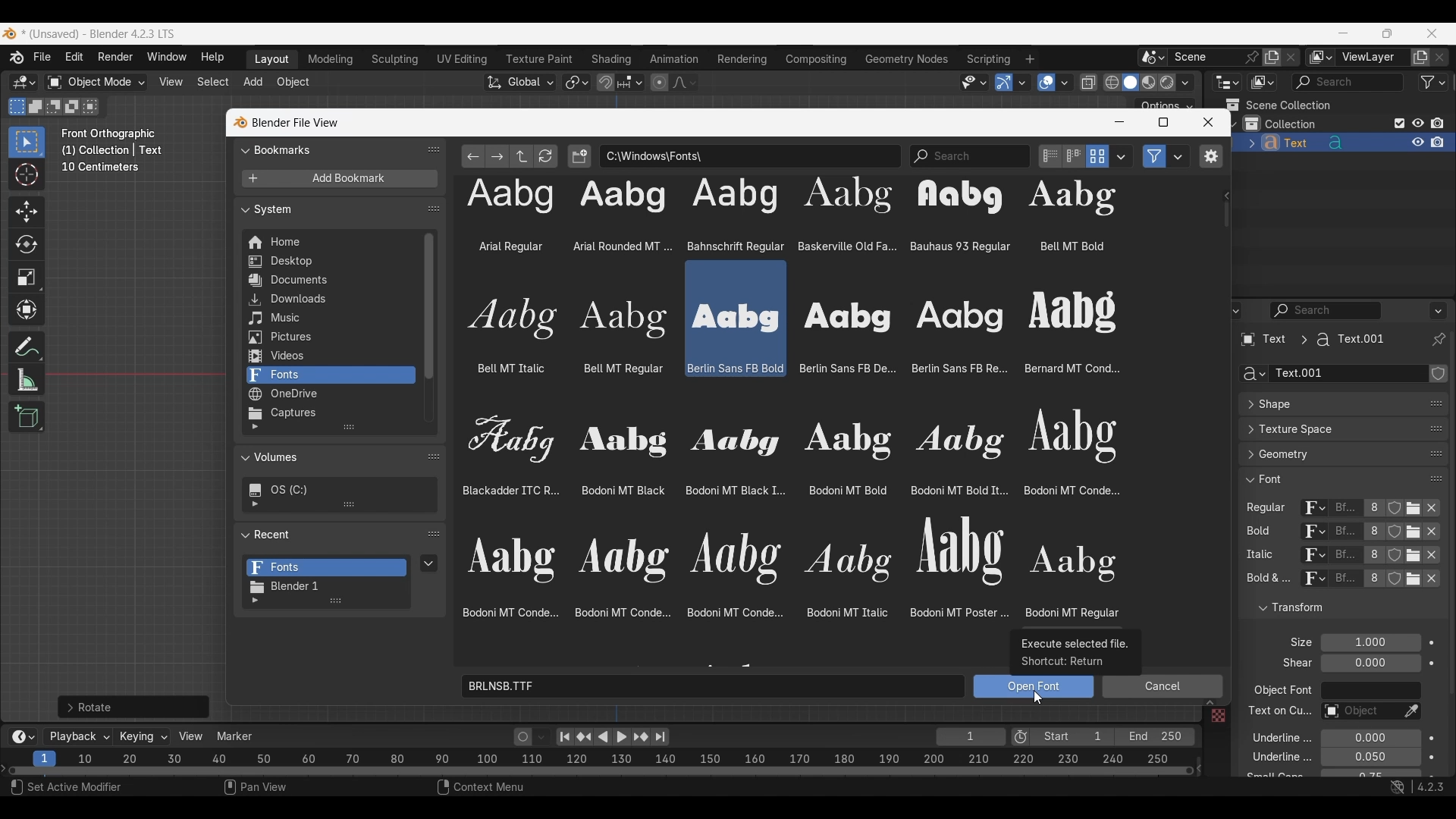 Image resolution: width=1456 pixels, height=819 pixels. Describe the element at coordinates (17, 58) in the screenshot. I see `More about Blender` at that location.